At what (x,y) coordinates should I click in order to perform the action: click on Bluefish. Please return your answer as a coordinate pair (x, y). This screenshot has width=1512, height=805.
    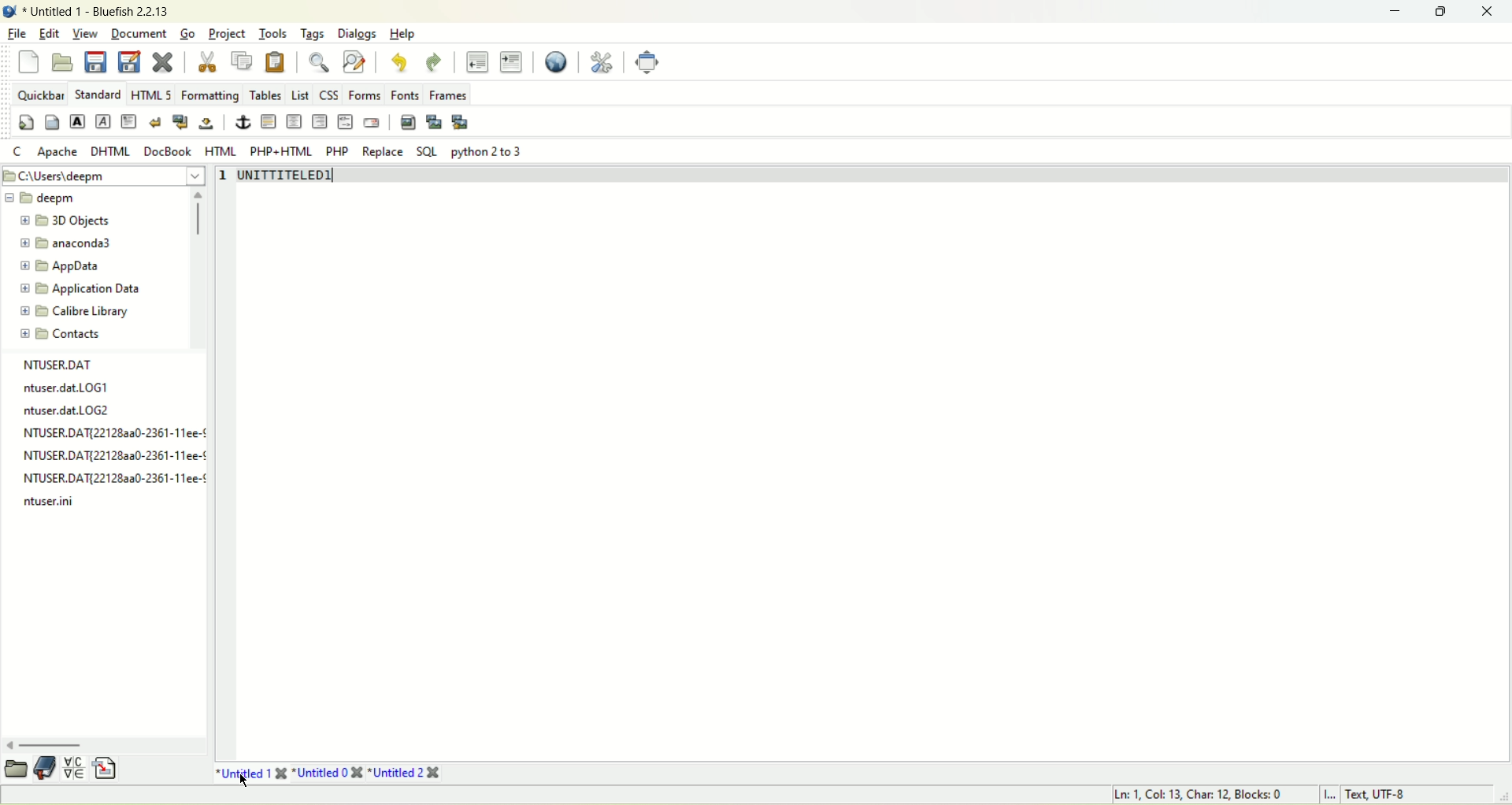
    Looking at the image, I should click on (9, 11).